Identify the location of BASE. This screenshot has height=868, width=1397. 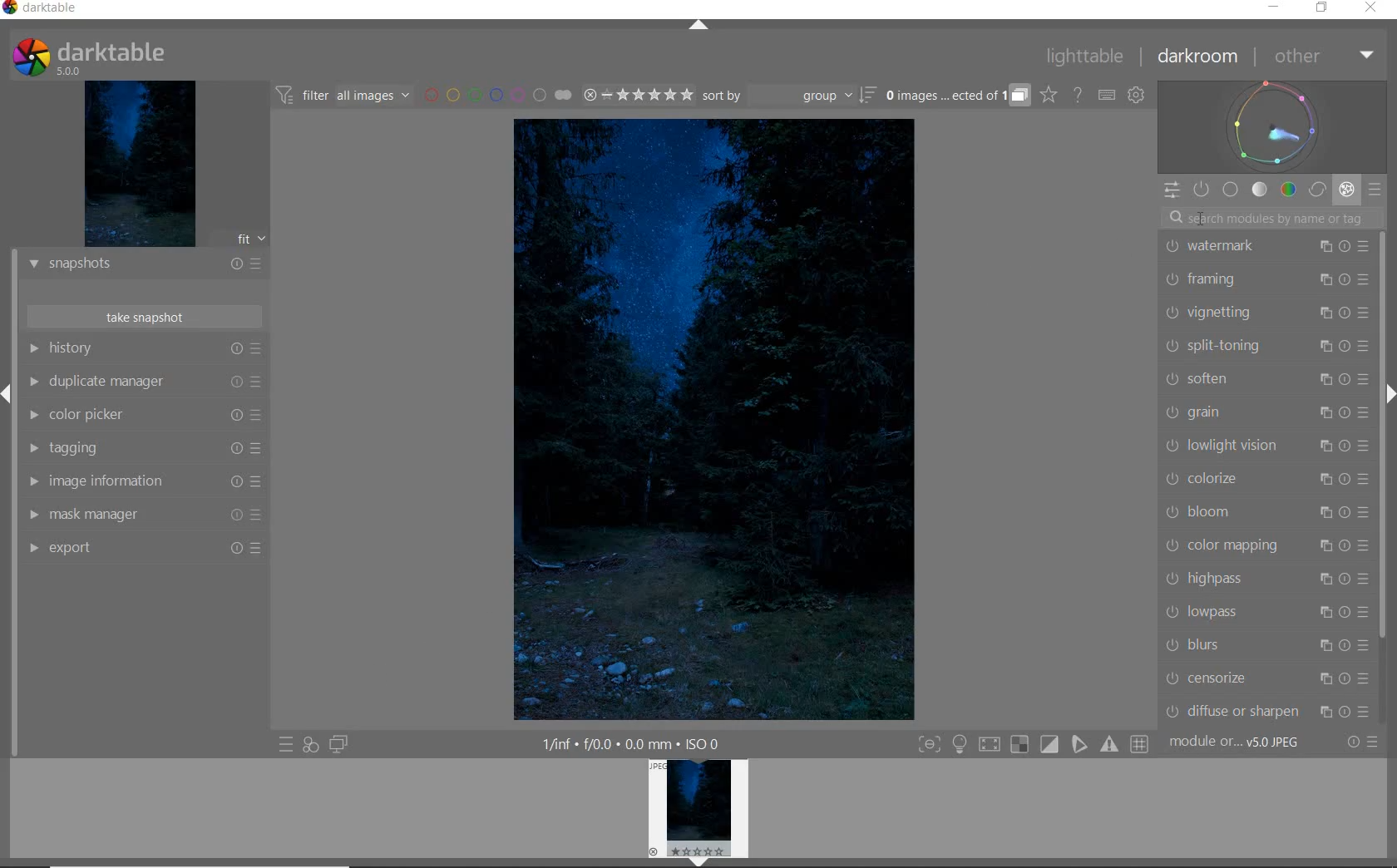
(1231, 189).